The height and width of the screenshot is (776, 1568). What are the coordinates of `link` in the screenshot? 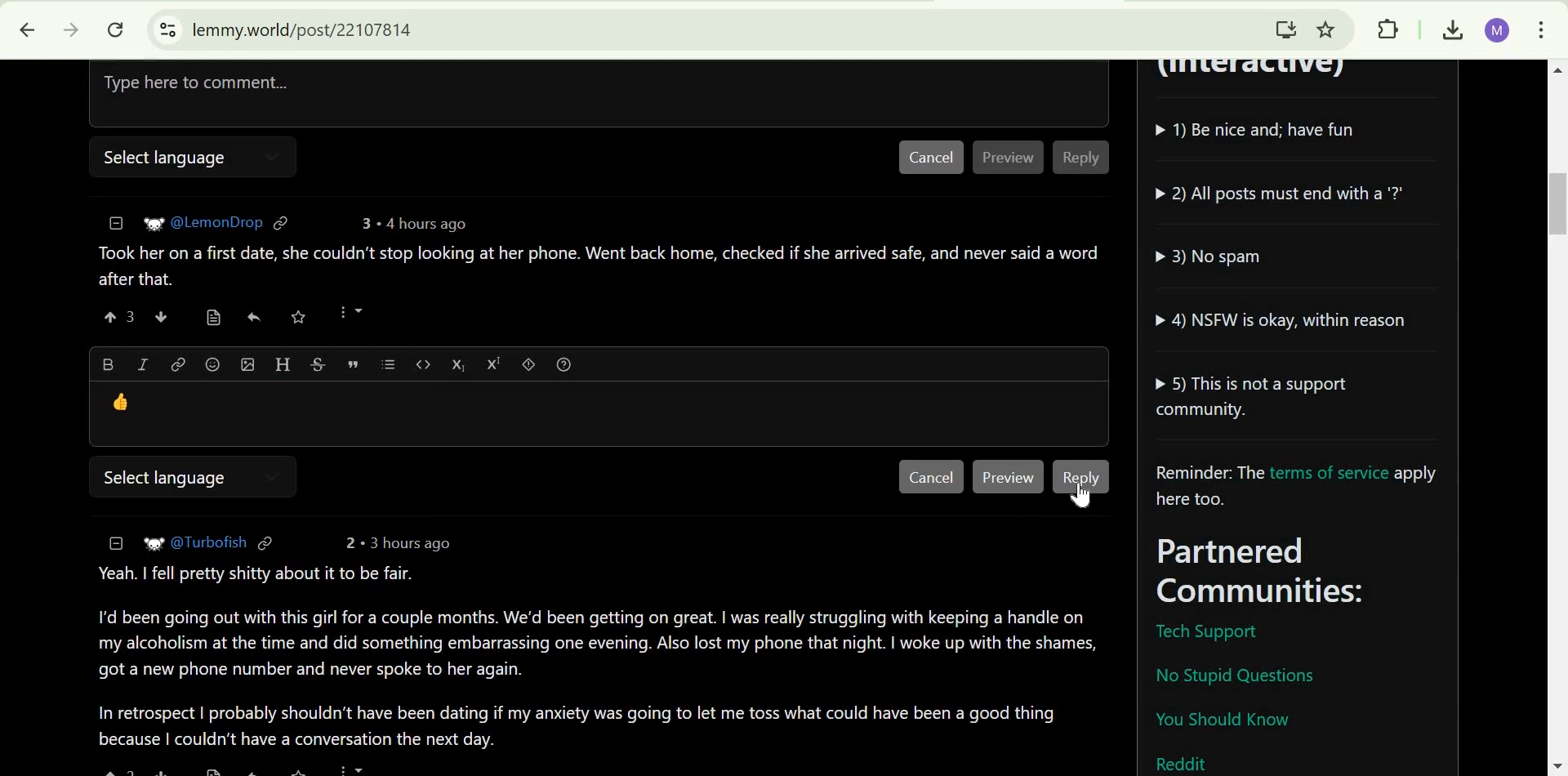 It's located at (282, 222).